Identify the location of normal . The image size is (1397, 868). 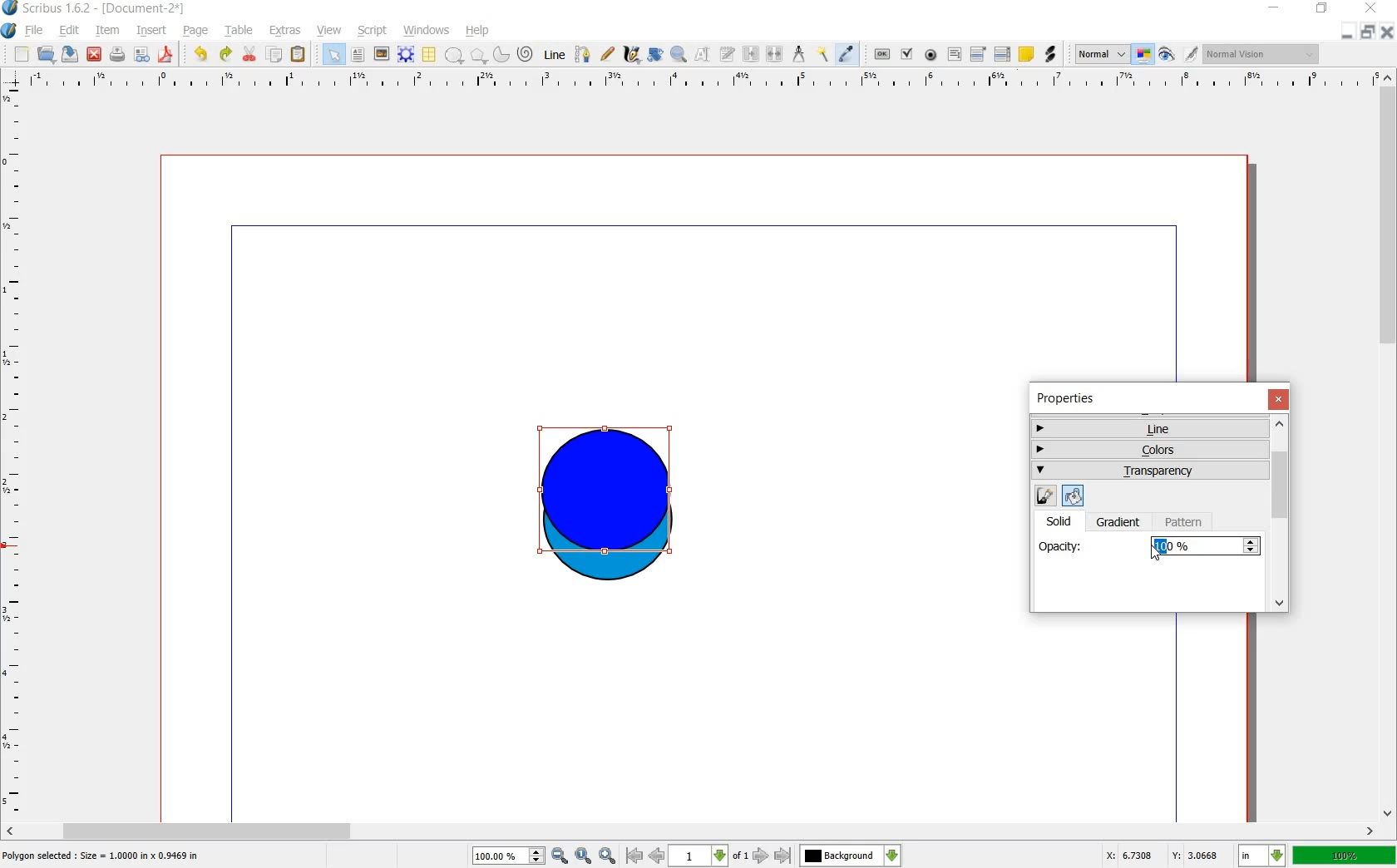
(1099, 54).